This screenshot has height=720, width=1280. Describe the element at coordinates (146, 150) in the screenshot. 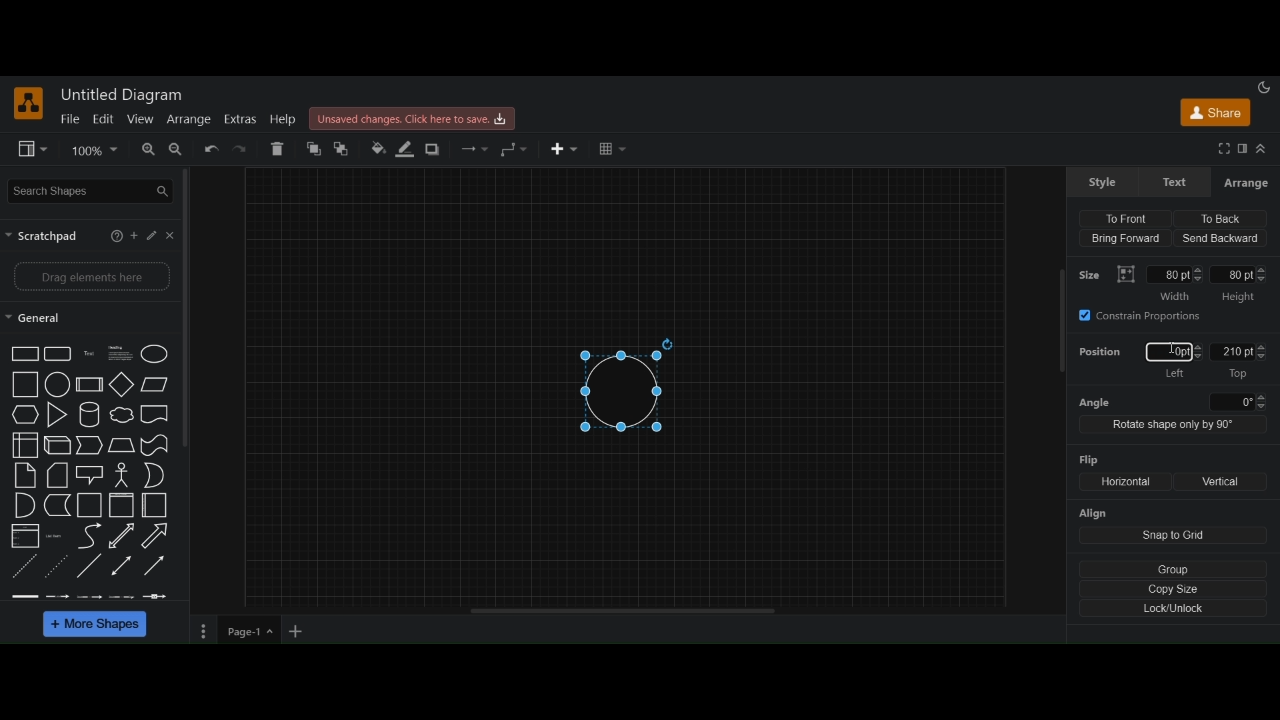

I see `zoom in` at that location.